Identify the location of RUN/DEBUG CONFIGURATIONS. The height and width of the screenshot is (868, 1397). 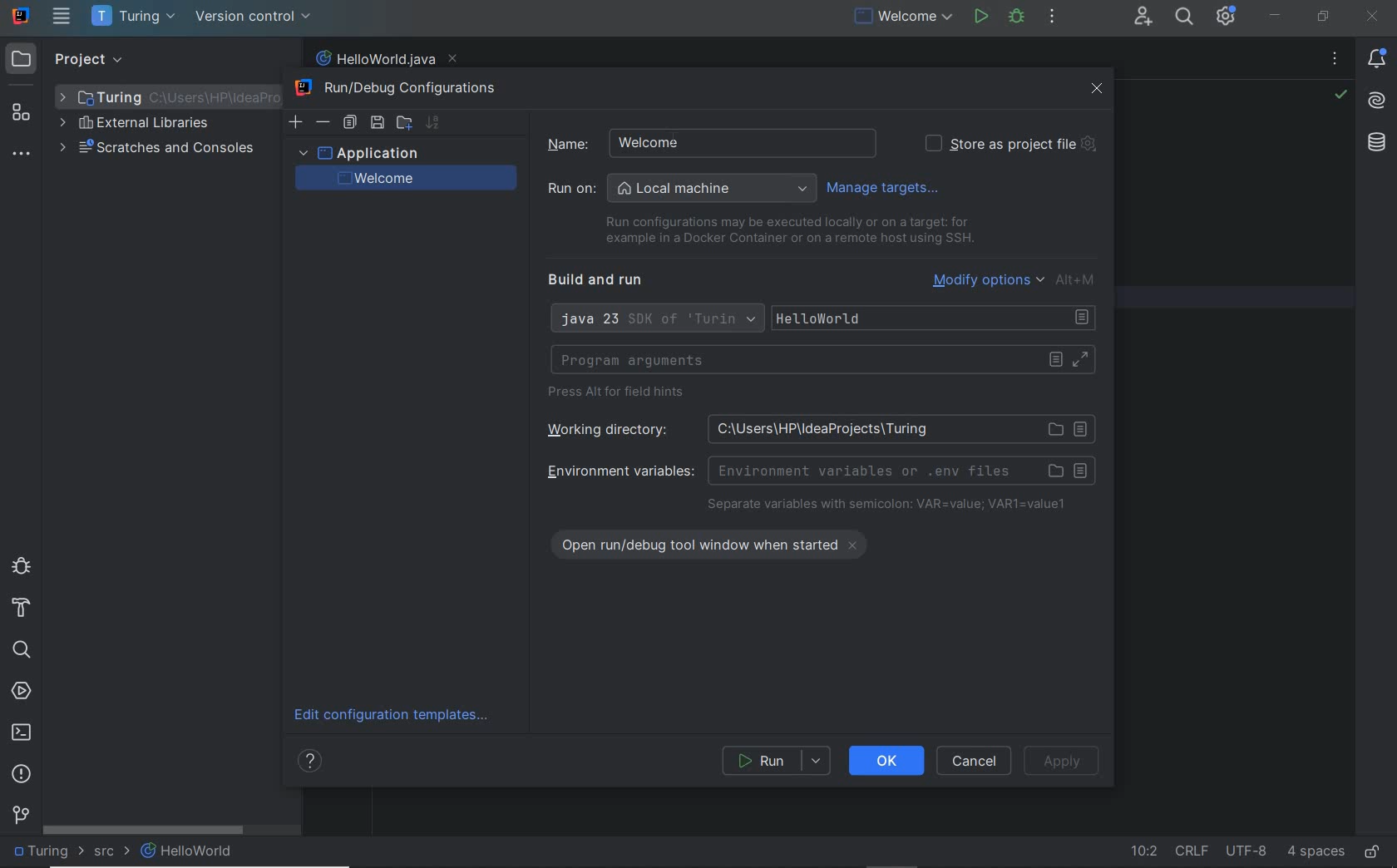
(402, 89).